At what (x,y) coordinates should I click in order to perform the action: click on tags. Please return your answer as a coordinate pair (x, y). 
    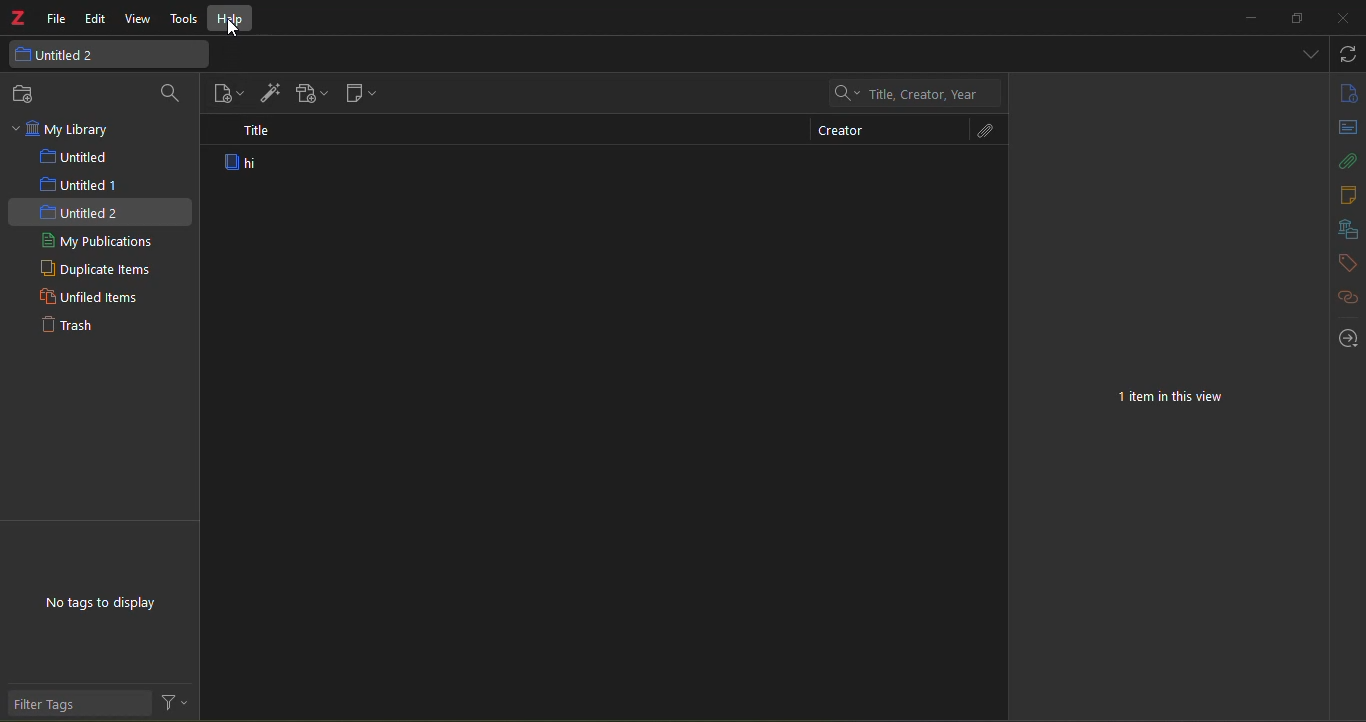
    Looking at the image, I should click on (1345, 263).